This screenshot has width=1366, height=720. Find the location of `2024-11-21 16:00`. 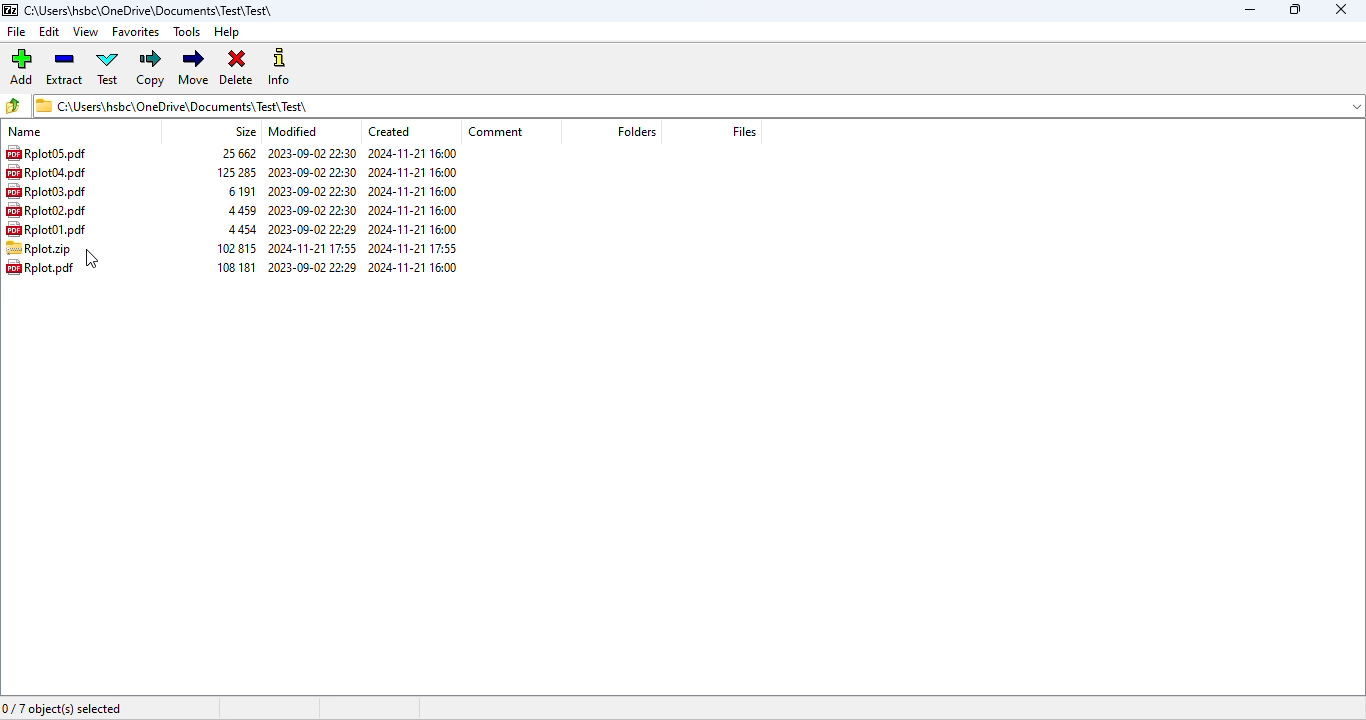

2024-11-21 16:00 is located at coordinates (415, 210).